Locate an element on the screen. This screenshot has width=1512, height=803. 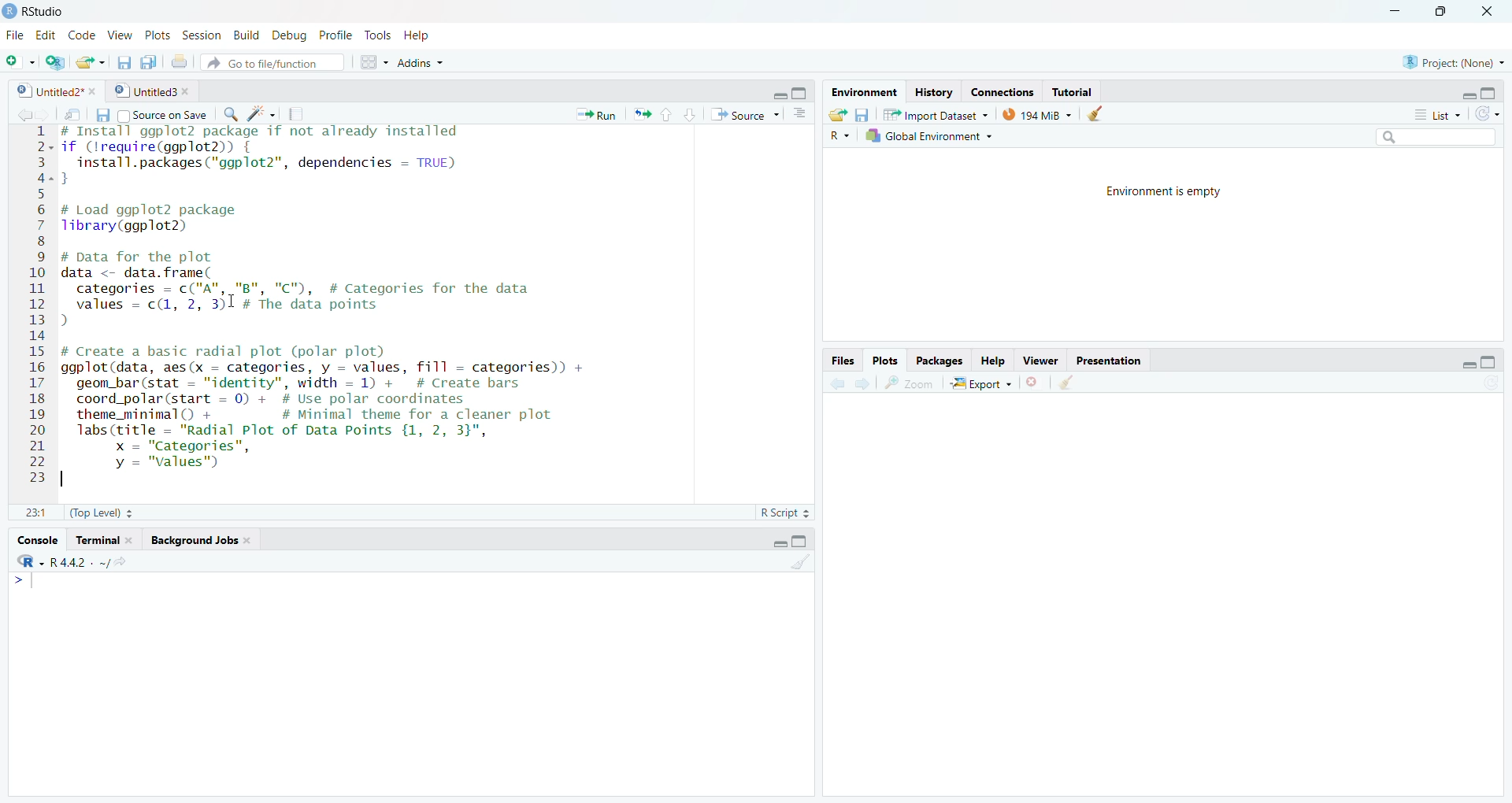
save all documents is located at coordinates (150, 61).